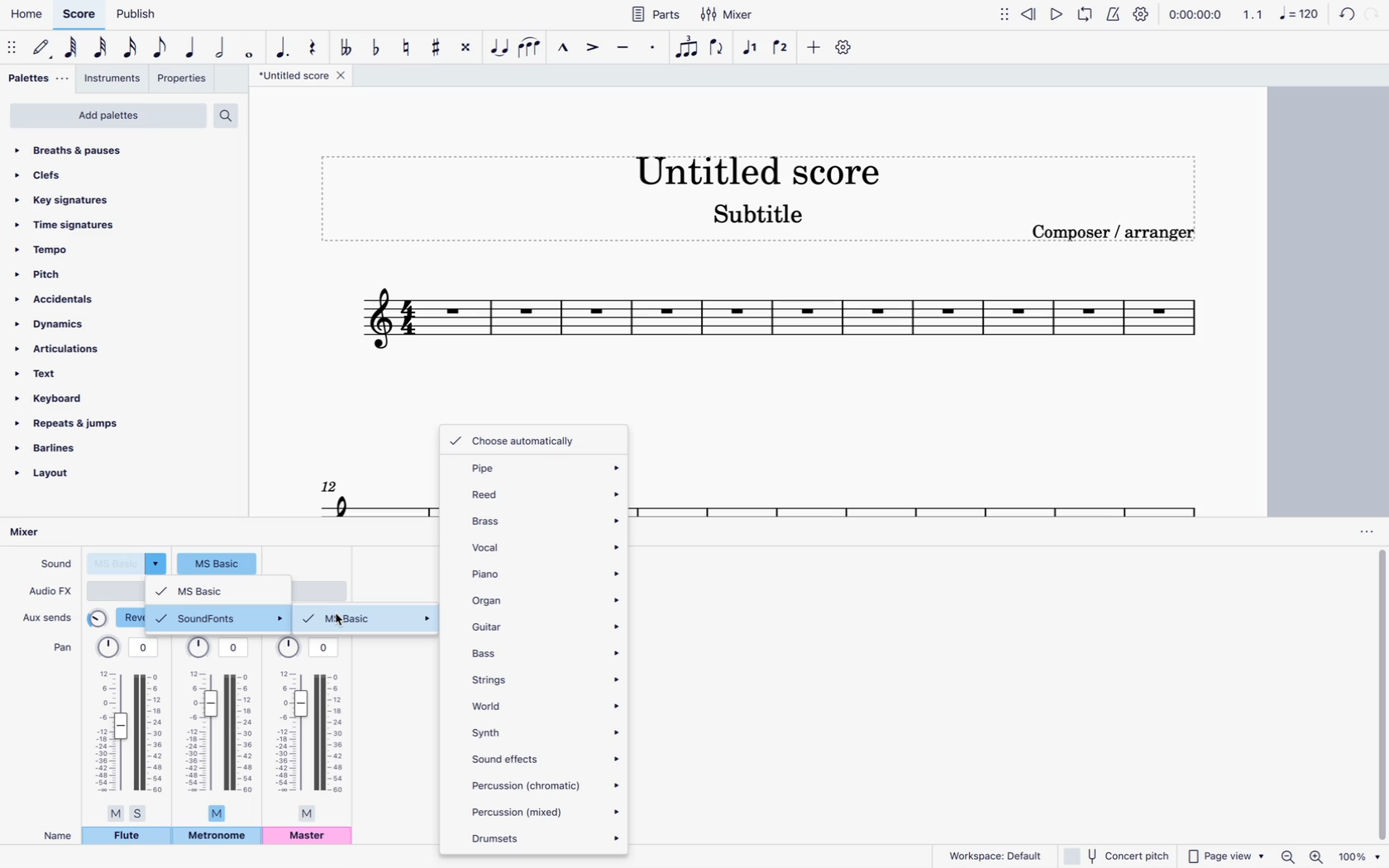 The width and height of the screenshot is (1389, 868). I want to click on 16th note, so click(131, 50).